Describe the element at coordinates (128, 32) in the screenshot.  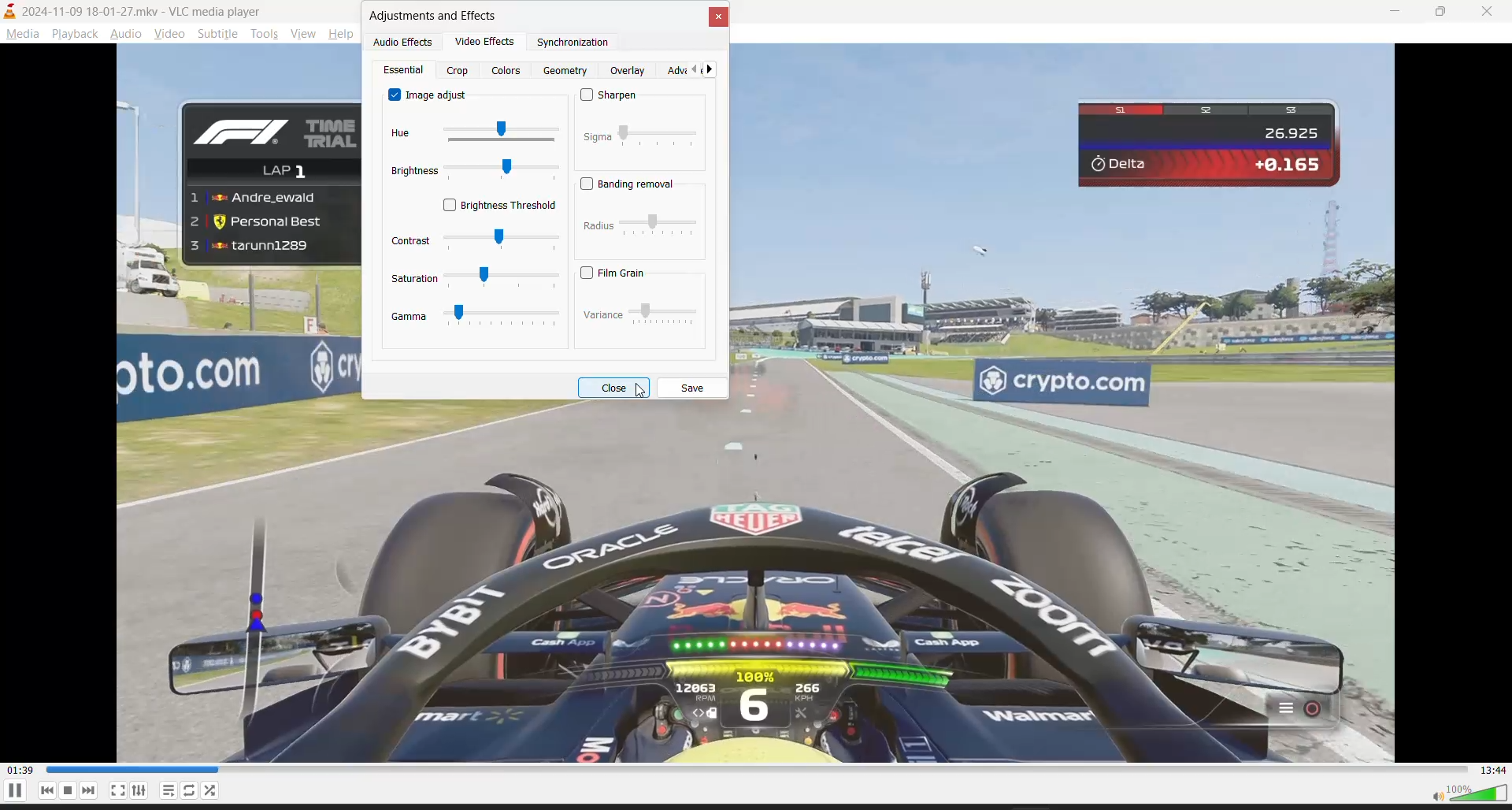
I see `audio` at that location.